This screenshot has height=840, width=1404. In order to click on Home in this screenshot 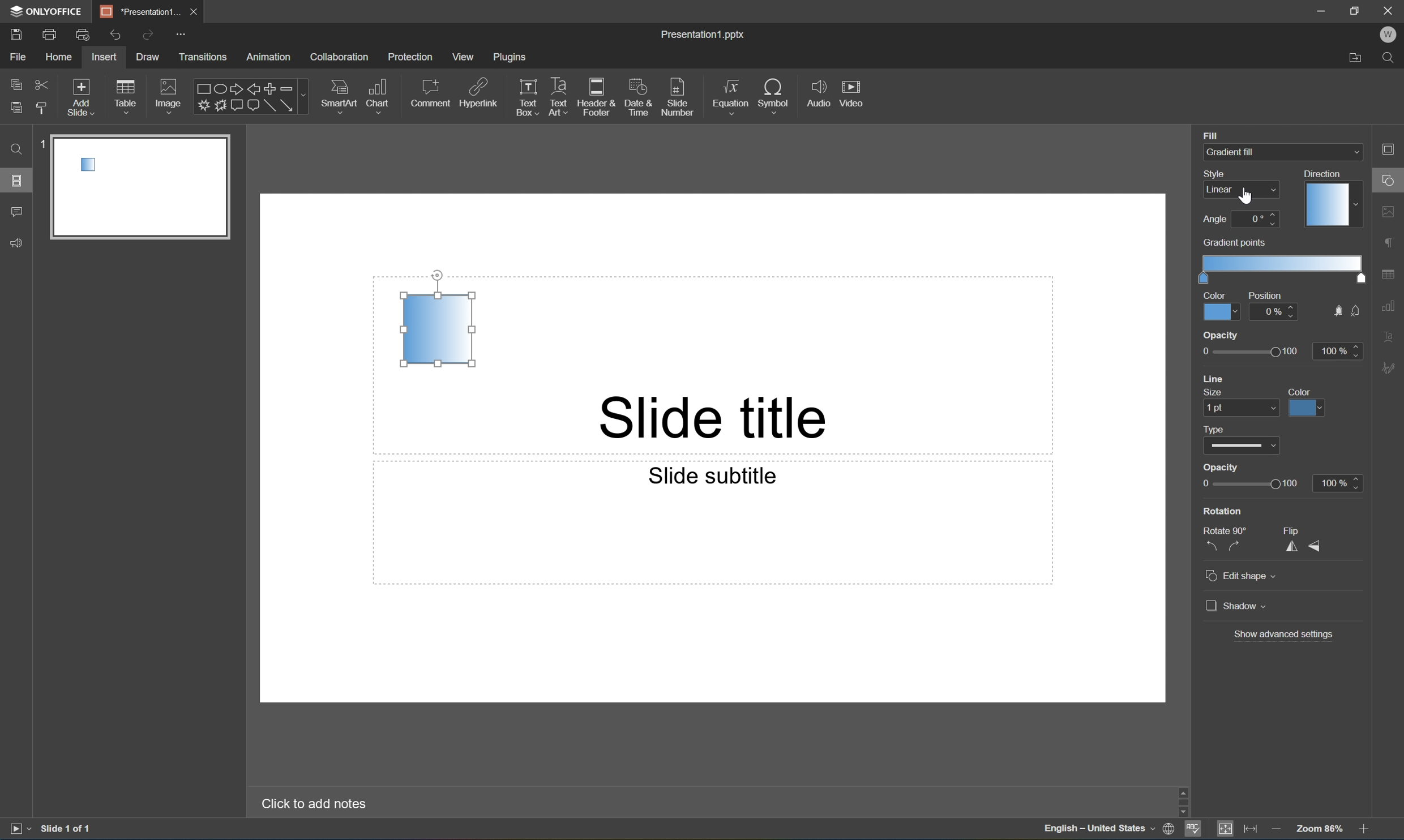, I will do `click(60, 57)`.